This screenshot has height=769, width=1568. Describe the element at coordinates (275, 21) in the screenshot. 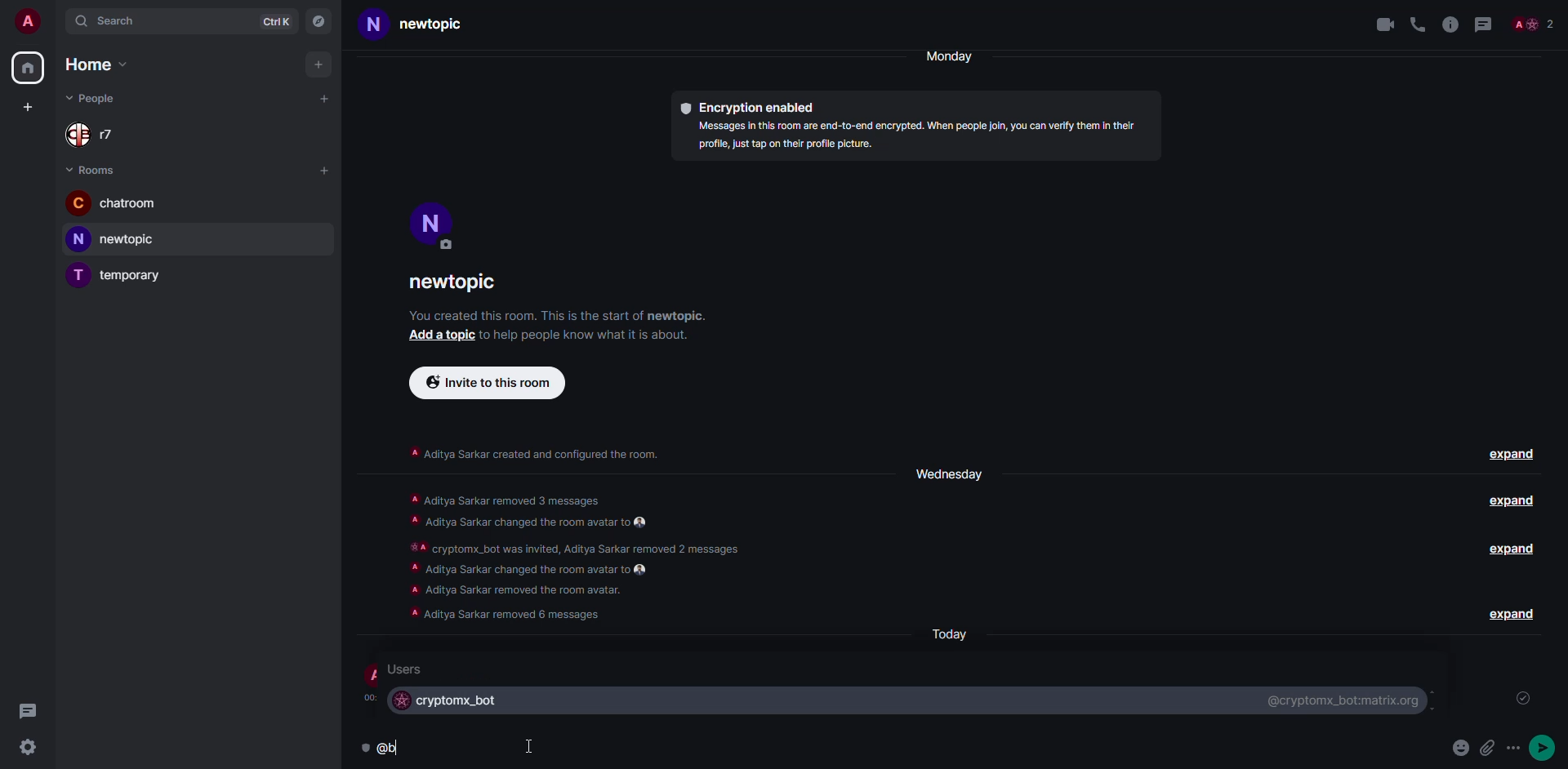

I see `ctrlK` at that location.